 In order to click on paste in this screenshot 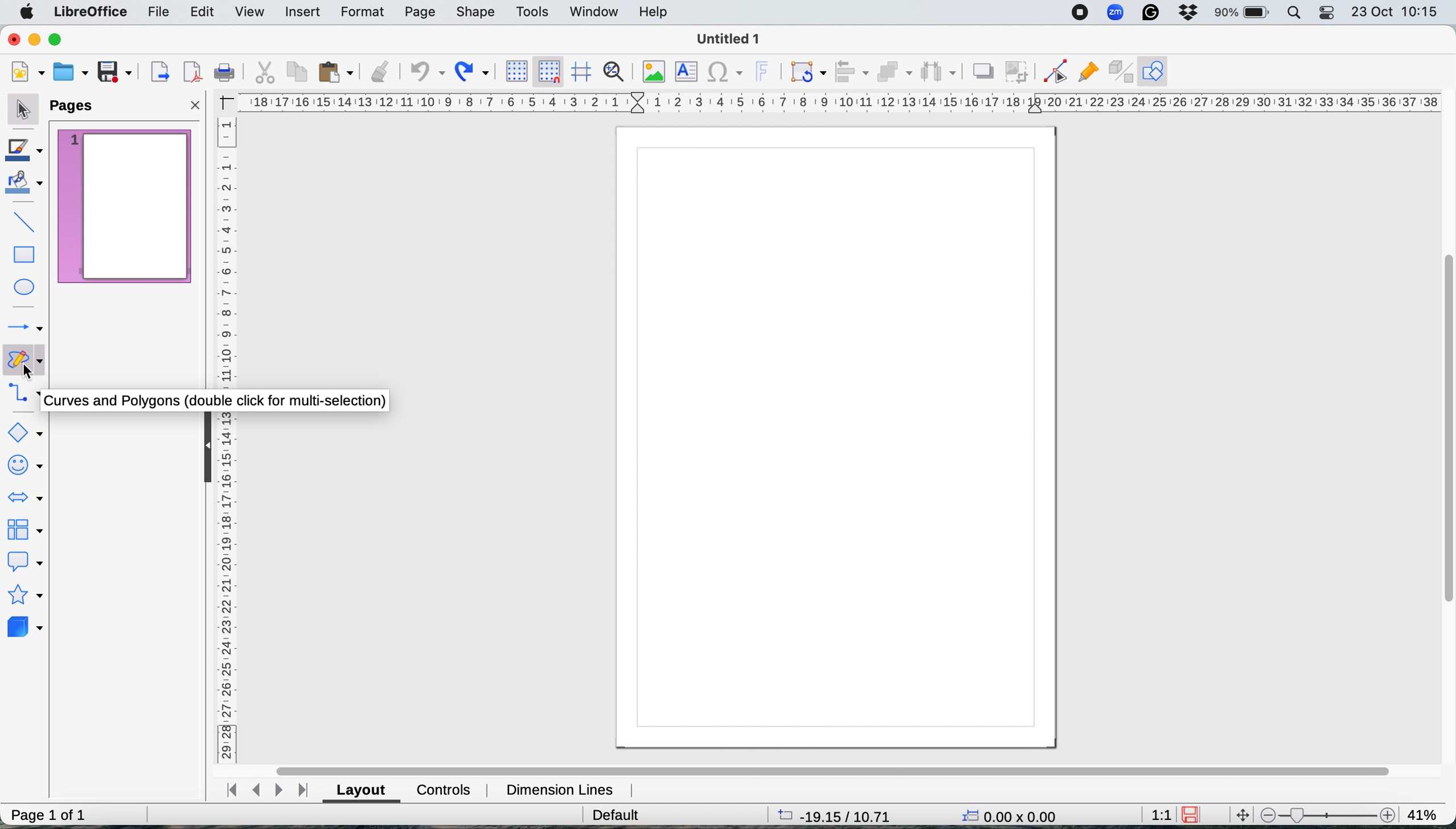, I will do `click(338, 73)`.